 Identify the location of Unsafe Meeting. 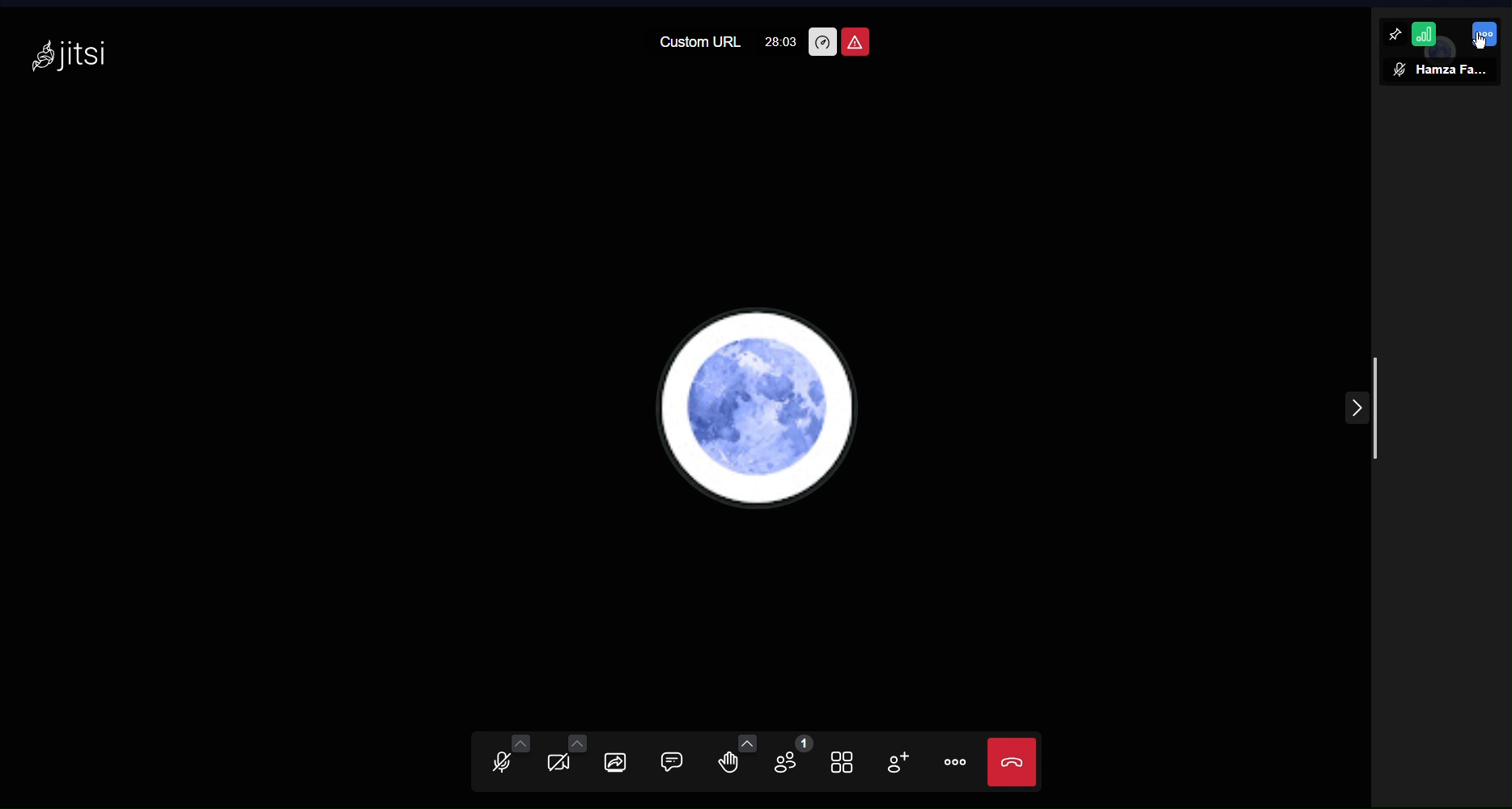
(856, 41).